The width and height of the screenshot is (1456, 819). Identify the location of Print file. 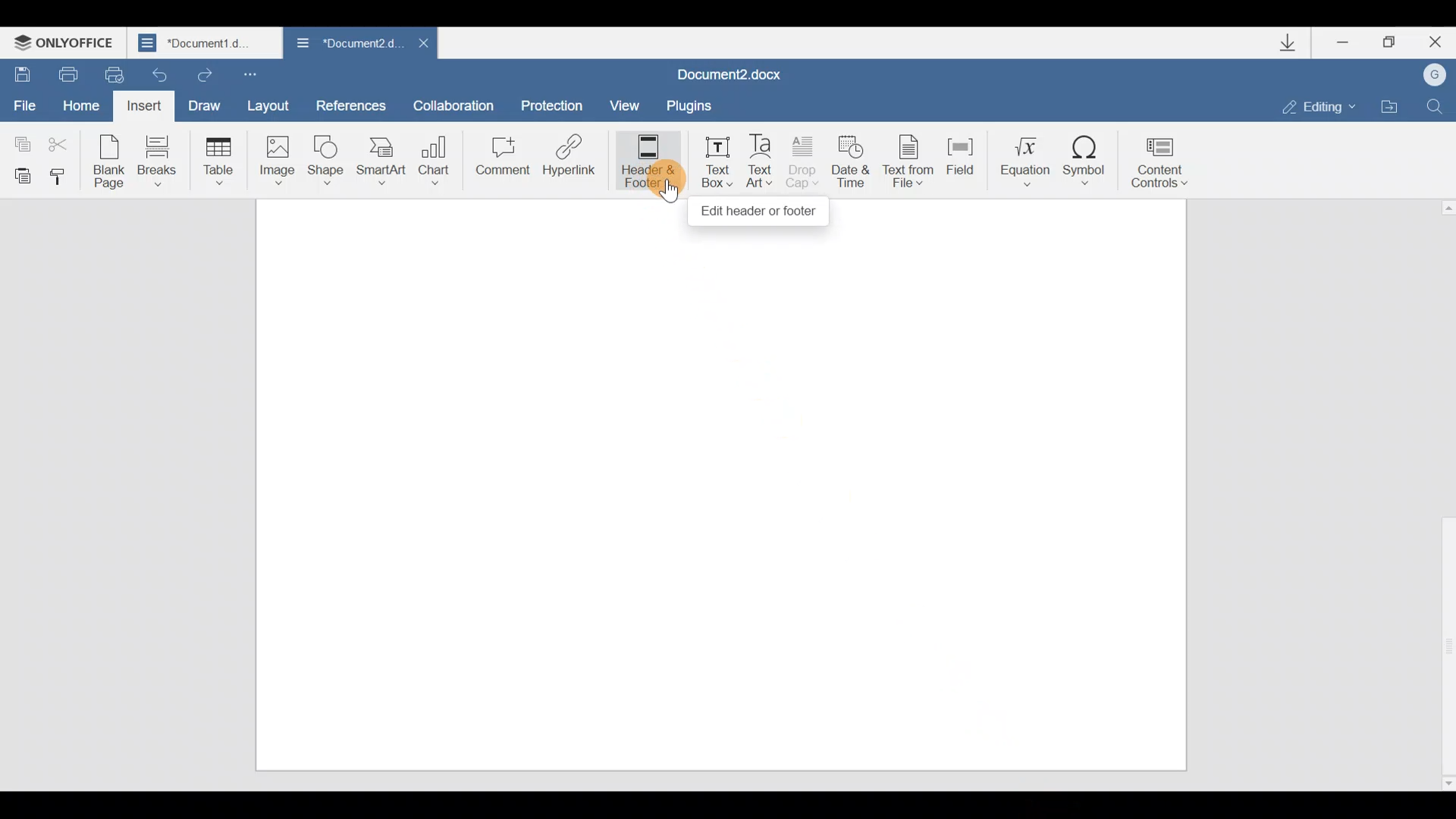
(64, 74).